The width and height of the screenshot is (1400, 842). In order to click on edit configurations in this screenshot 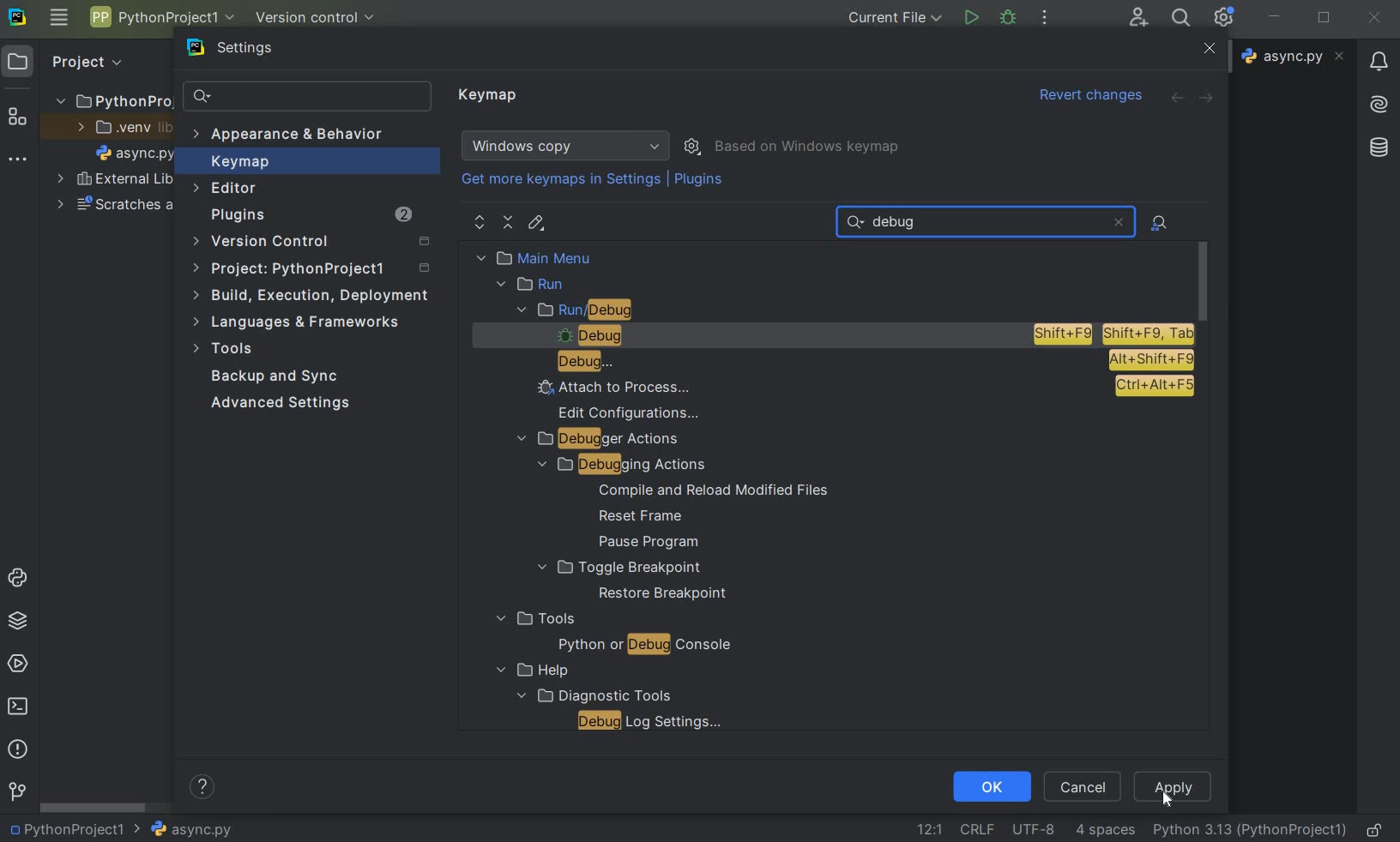, I will do `click(631, 412)`.